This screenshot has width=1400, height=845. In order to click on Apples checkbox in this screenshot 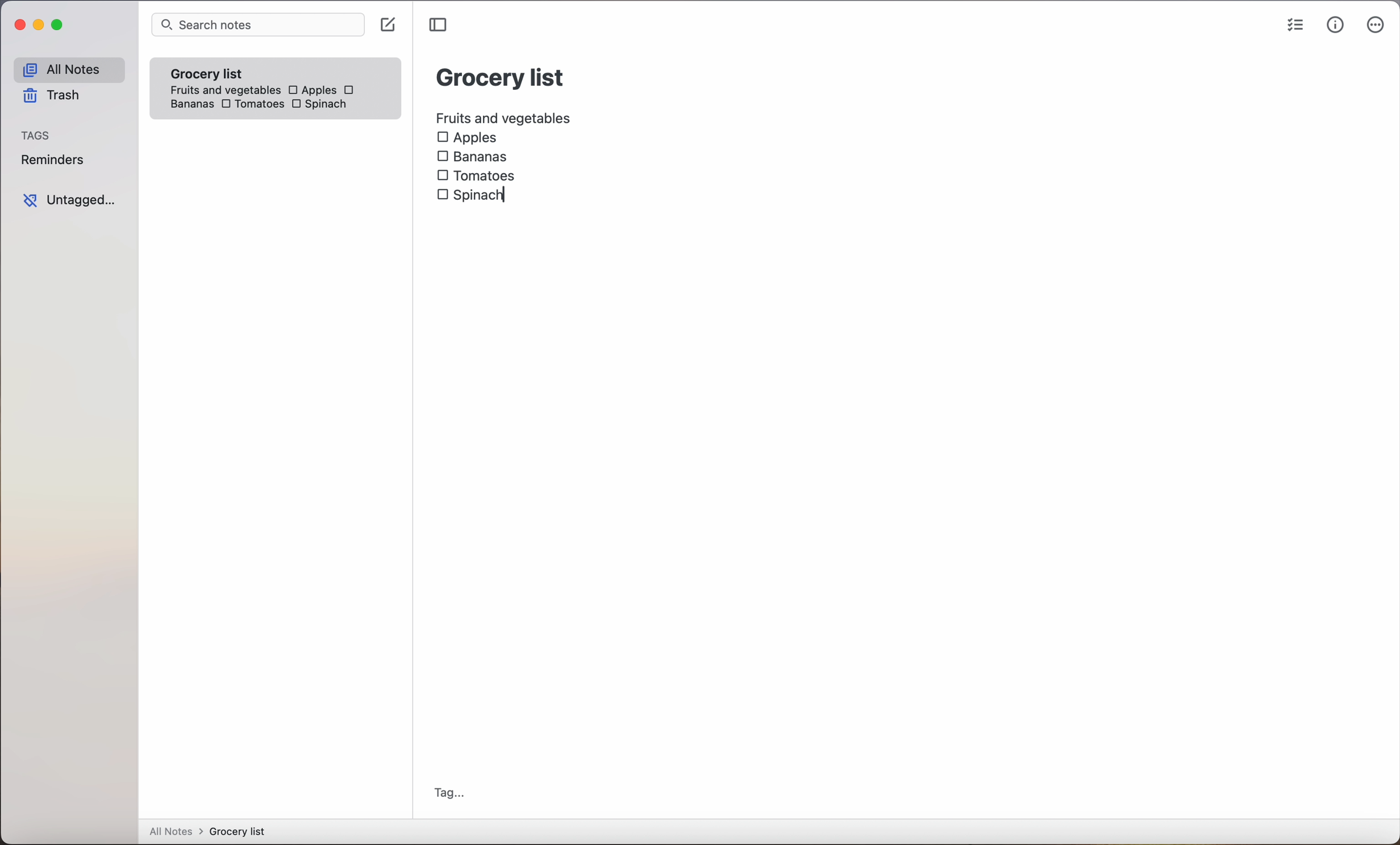, I will do `click(311, 90)`.